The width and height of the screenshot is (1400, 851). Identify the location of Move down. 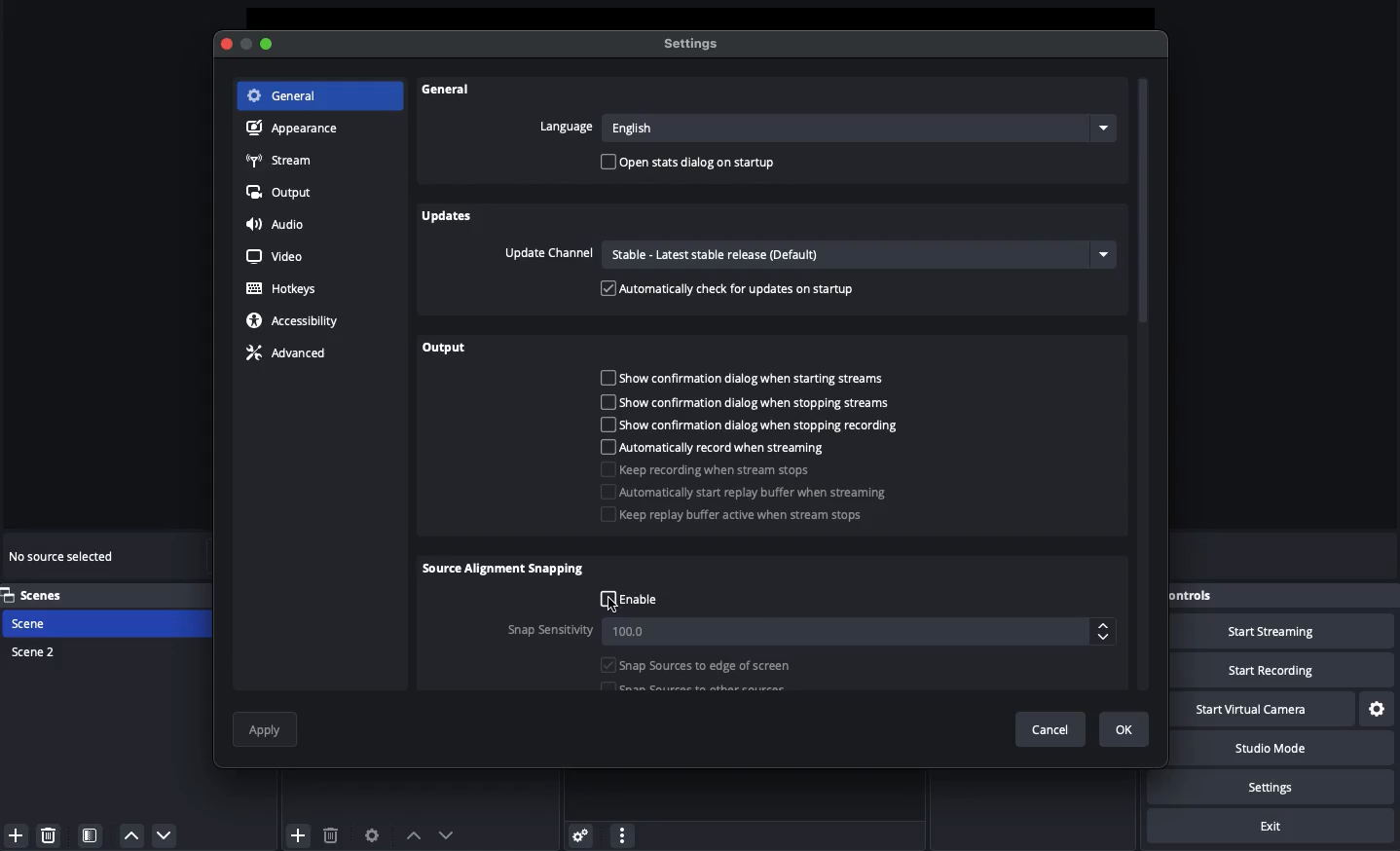
(164, 834).